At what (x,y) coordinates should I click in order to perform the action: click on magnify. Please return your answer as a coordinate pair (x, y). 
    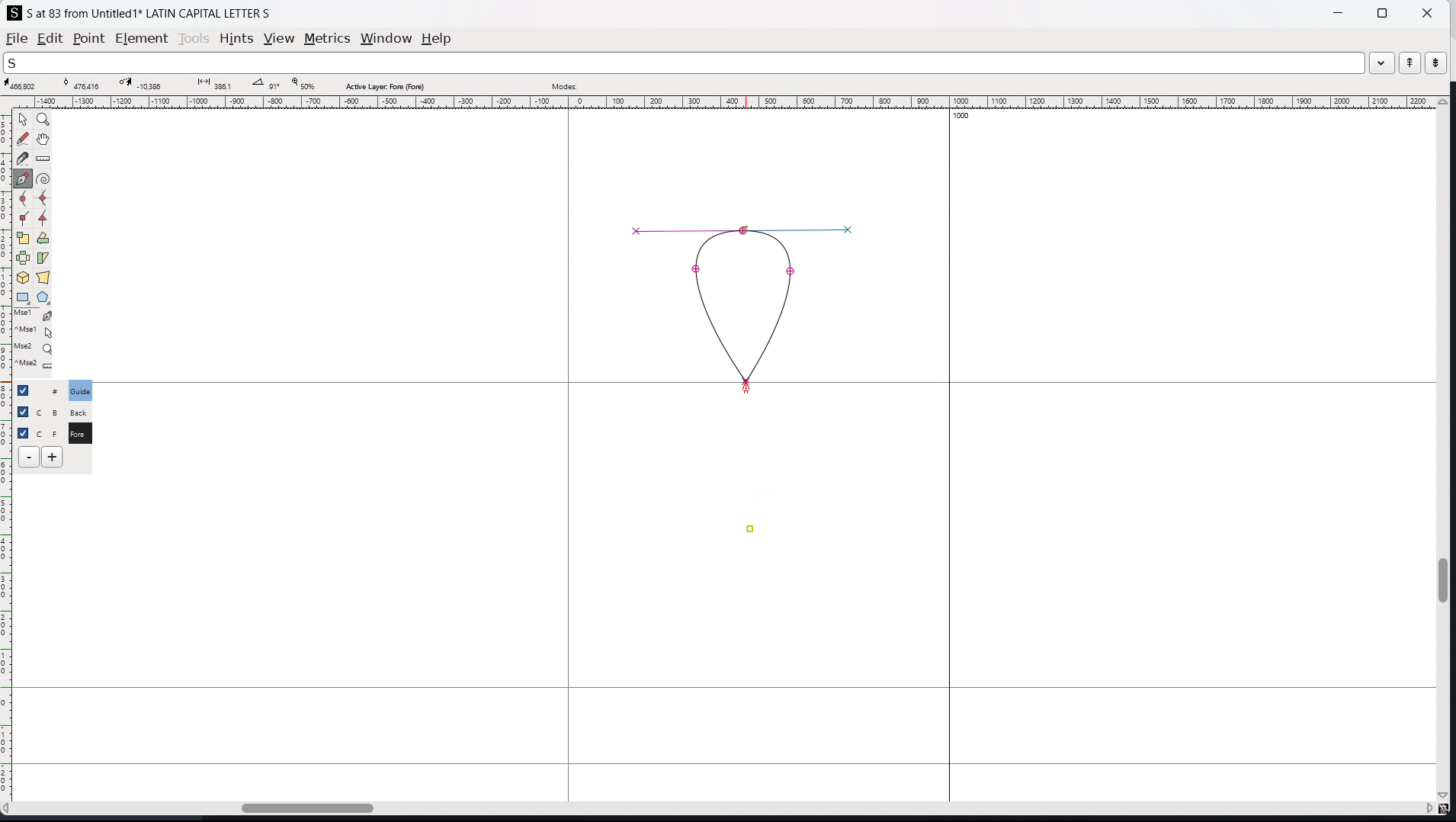
    Looking at the image, I should click on (44, 120).